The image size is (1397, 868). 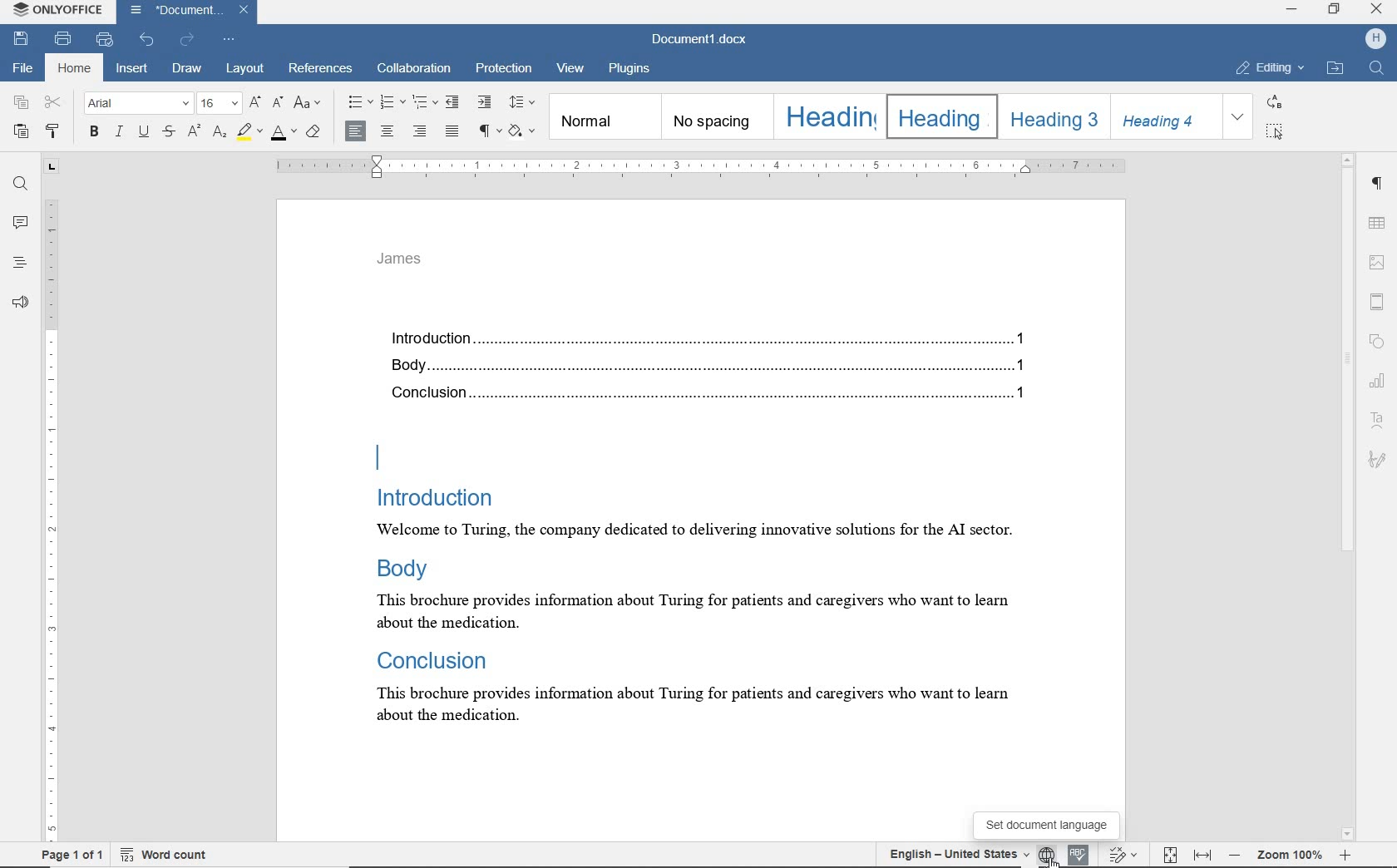 I want to click on font size, so click(x=219, y=104).